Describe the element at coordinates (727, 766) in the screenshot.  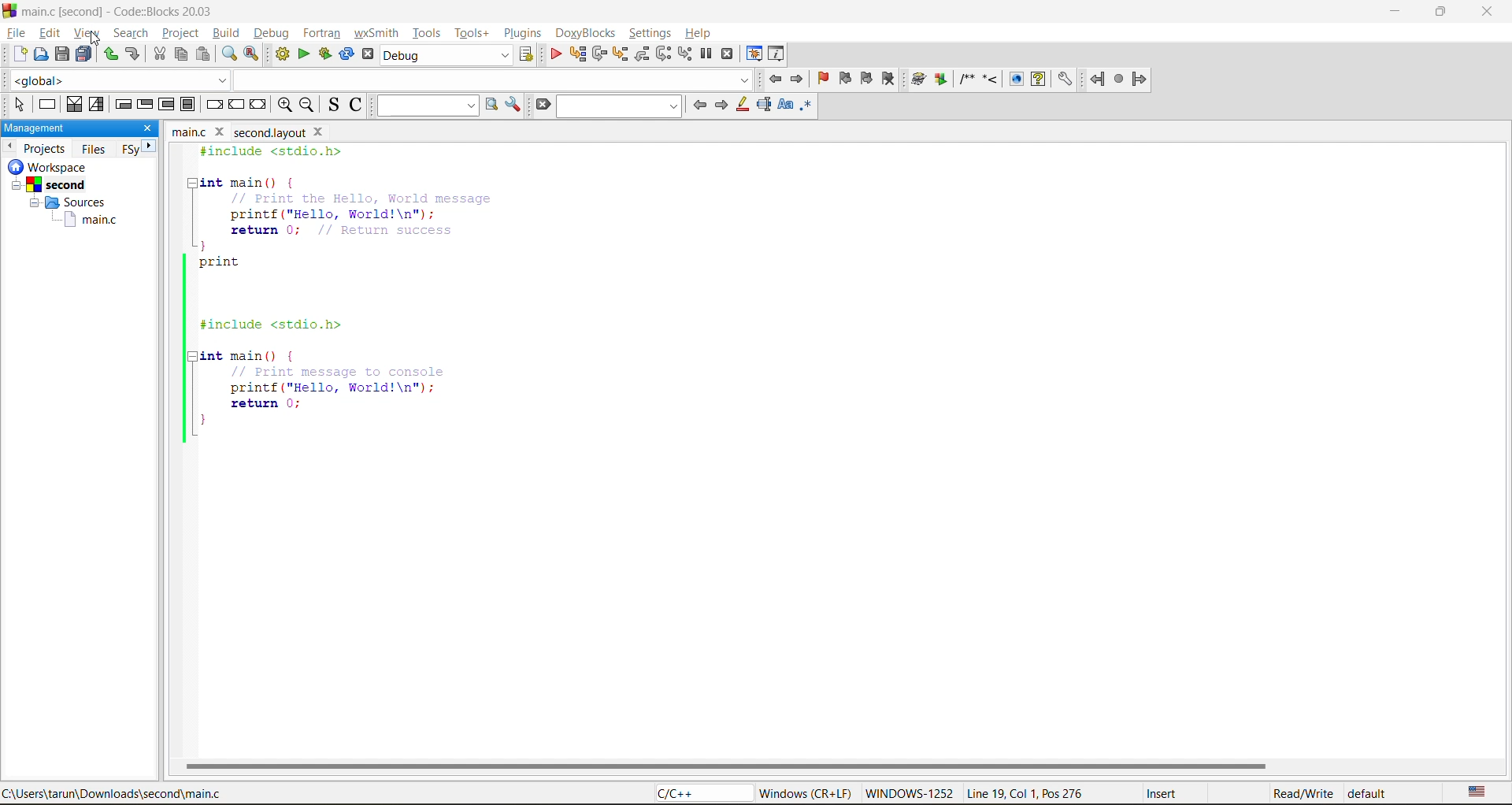
I see `horizontal scroll bar` at that location.